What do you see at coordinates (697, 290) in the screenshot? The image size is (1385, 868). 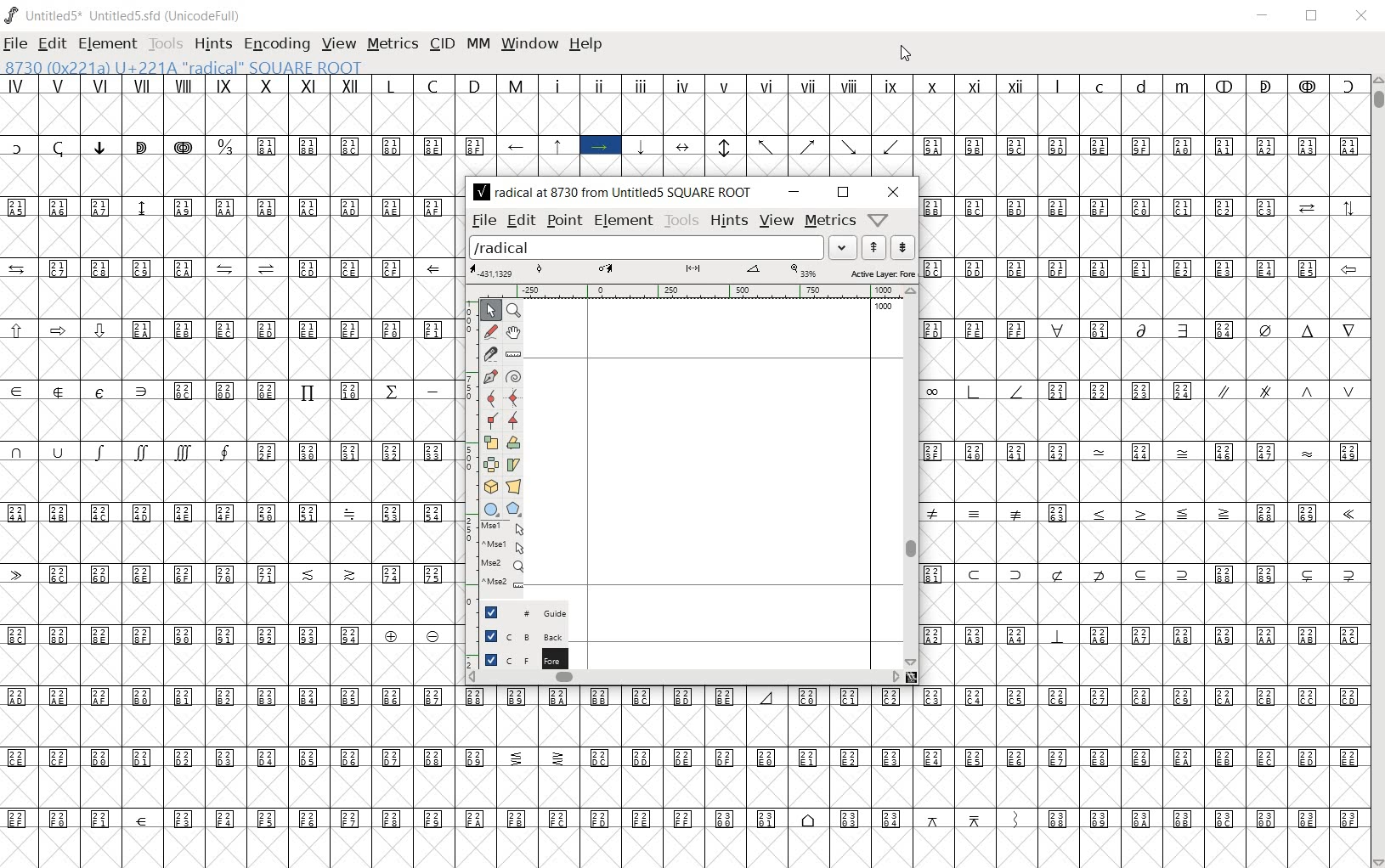 I see `ruler` at bounding box center [697, 290].